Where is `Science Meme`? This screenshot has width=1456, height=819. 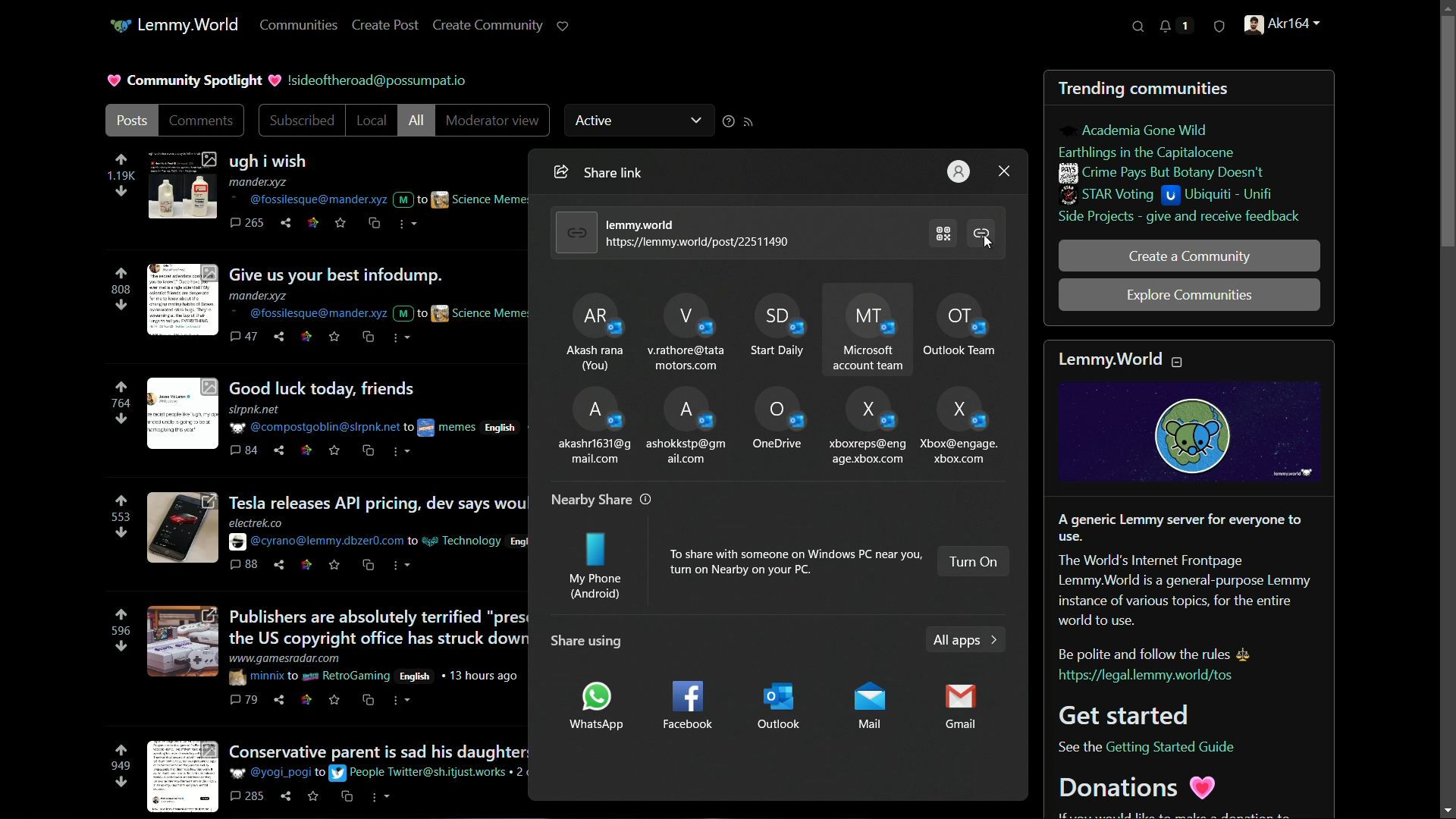
Science Meme is located at coordinates (480, 199).